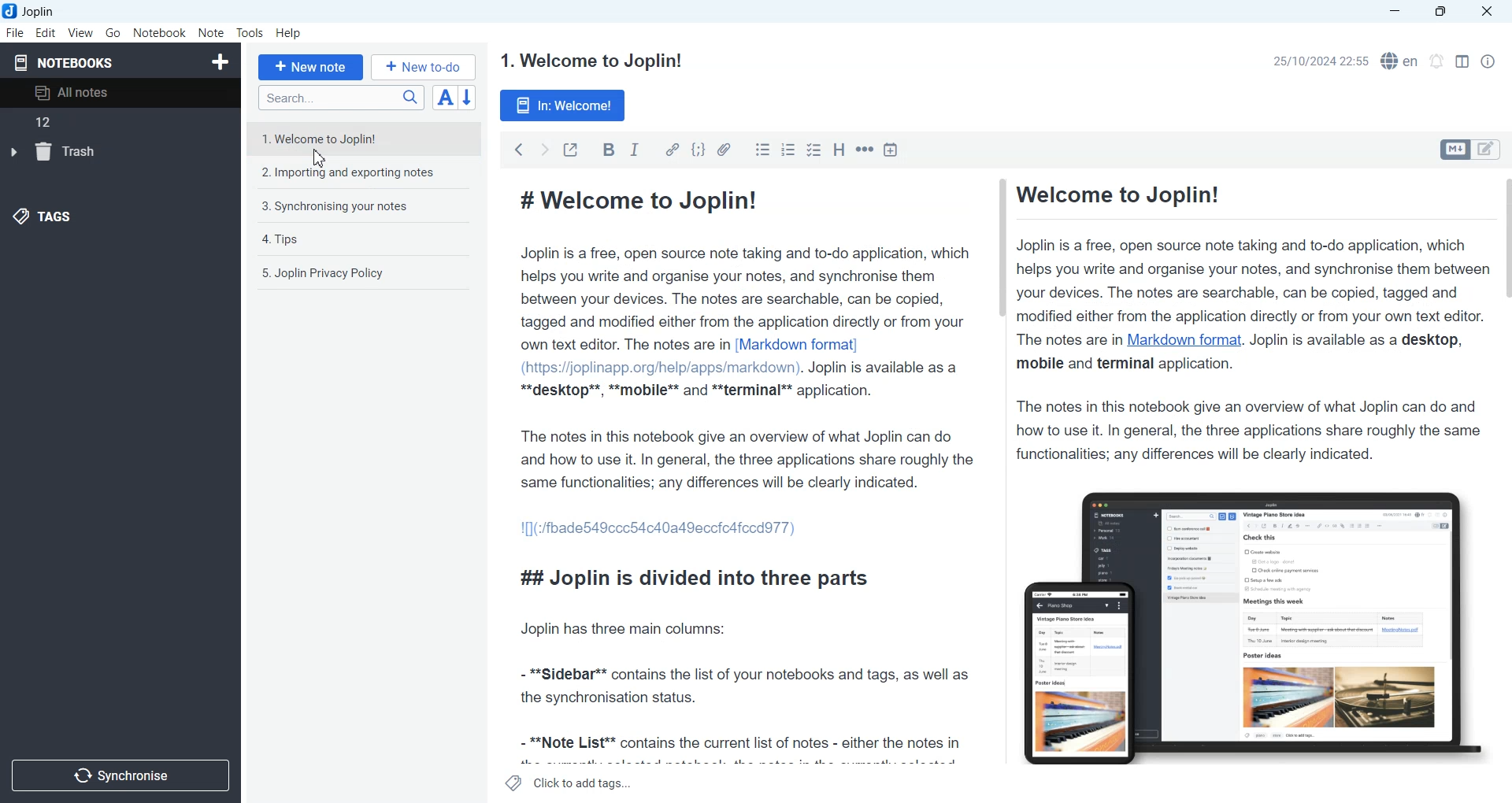  I want to click on Help, so click(290, 34).